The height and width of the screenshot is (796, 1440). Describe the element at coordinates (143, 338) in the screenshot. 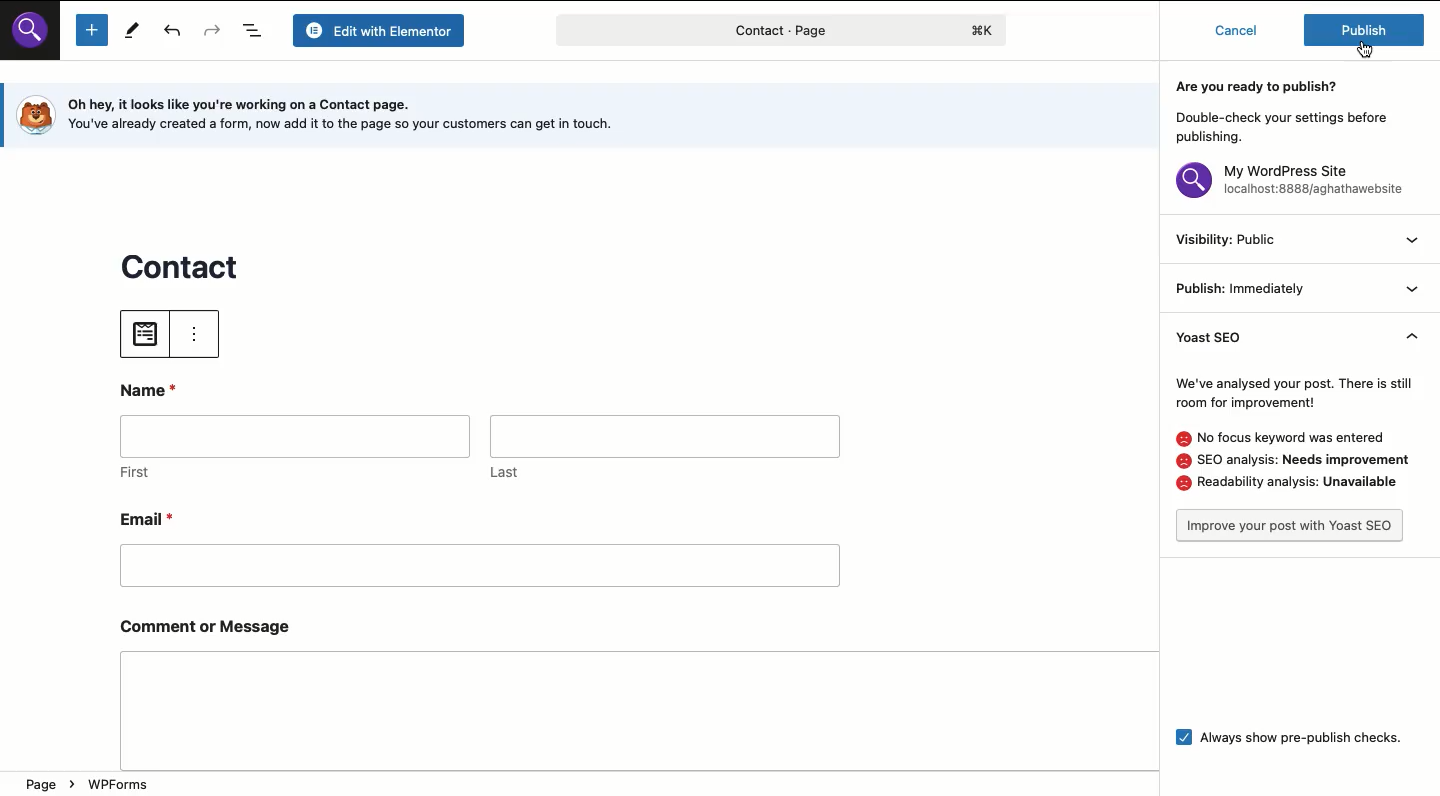

I see `choose file` at that location.